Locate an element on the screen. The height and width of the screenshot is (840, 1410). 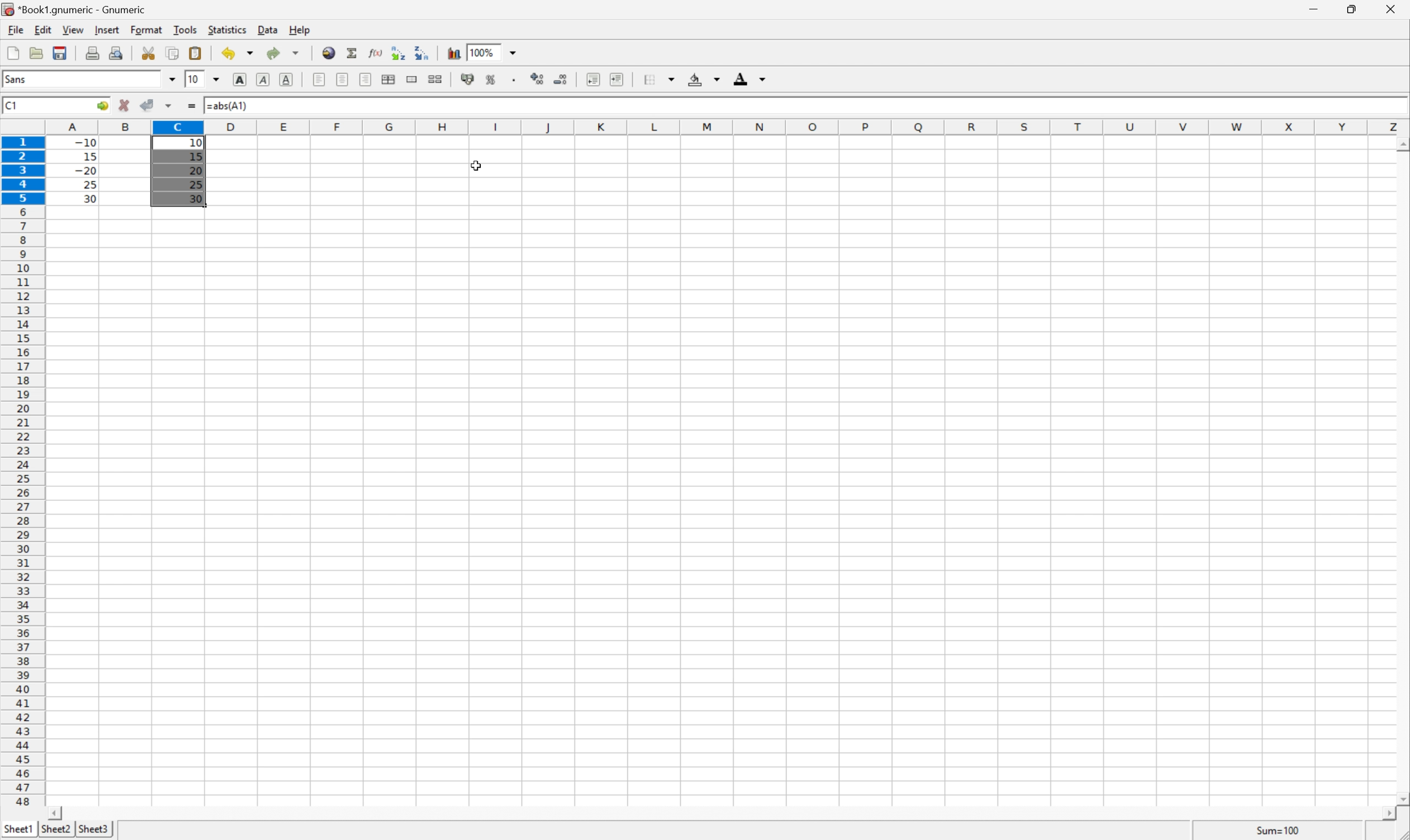
Background is located at coordinates (695, 80).